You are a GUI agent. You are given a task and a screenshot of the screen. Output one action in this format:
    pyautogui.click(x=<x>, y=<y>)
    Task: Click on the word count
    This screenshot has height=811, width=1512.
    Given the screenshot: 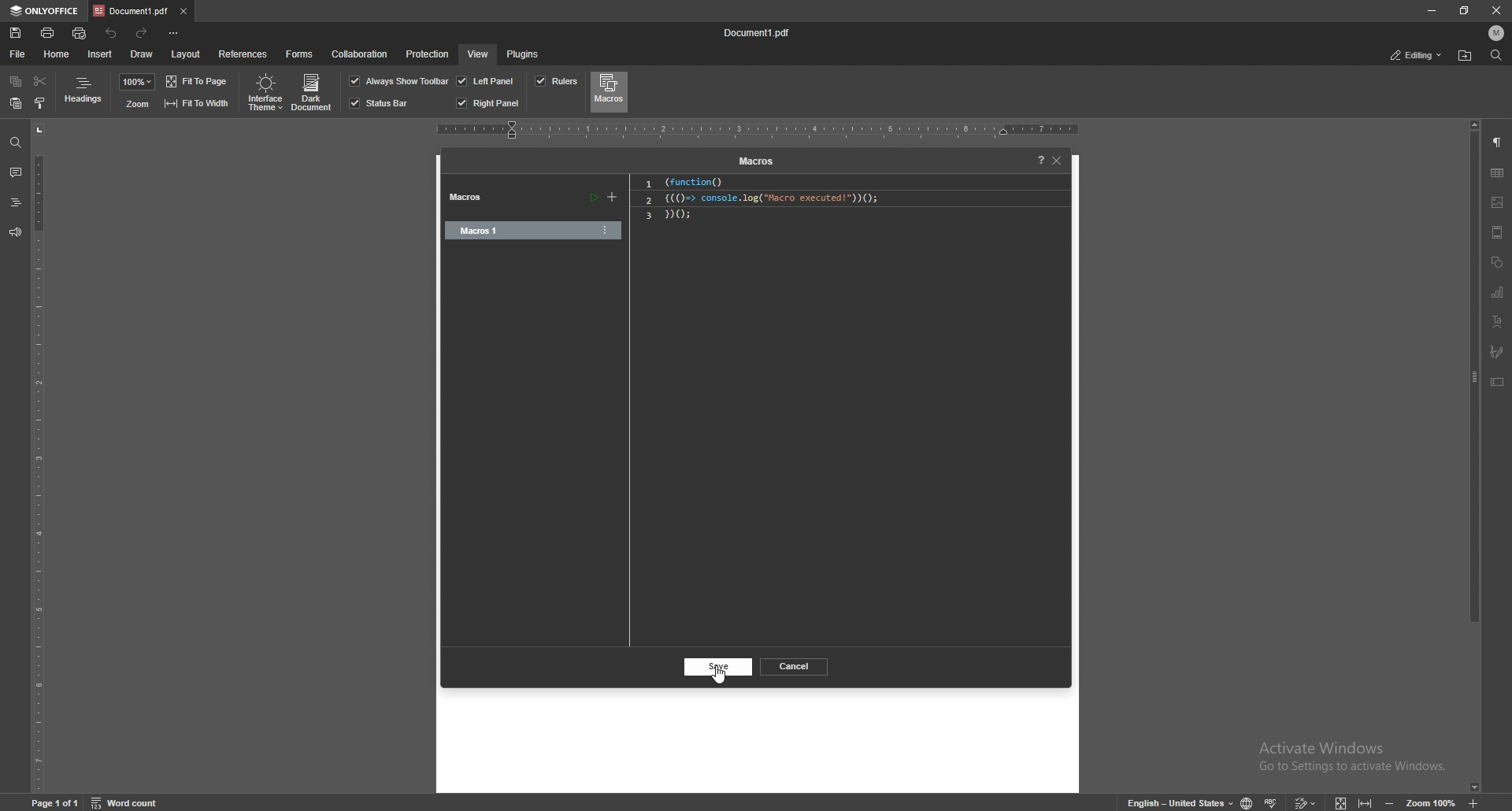 What is the action you would take?
    pyautogui.click(x=132, y=802)
    